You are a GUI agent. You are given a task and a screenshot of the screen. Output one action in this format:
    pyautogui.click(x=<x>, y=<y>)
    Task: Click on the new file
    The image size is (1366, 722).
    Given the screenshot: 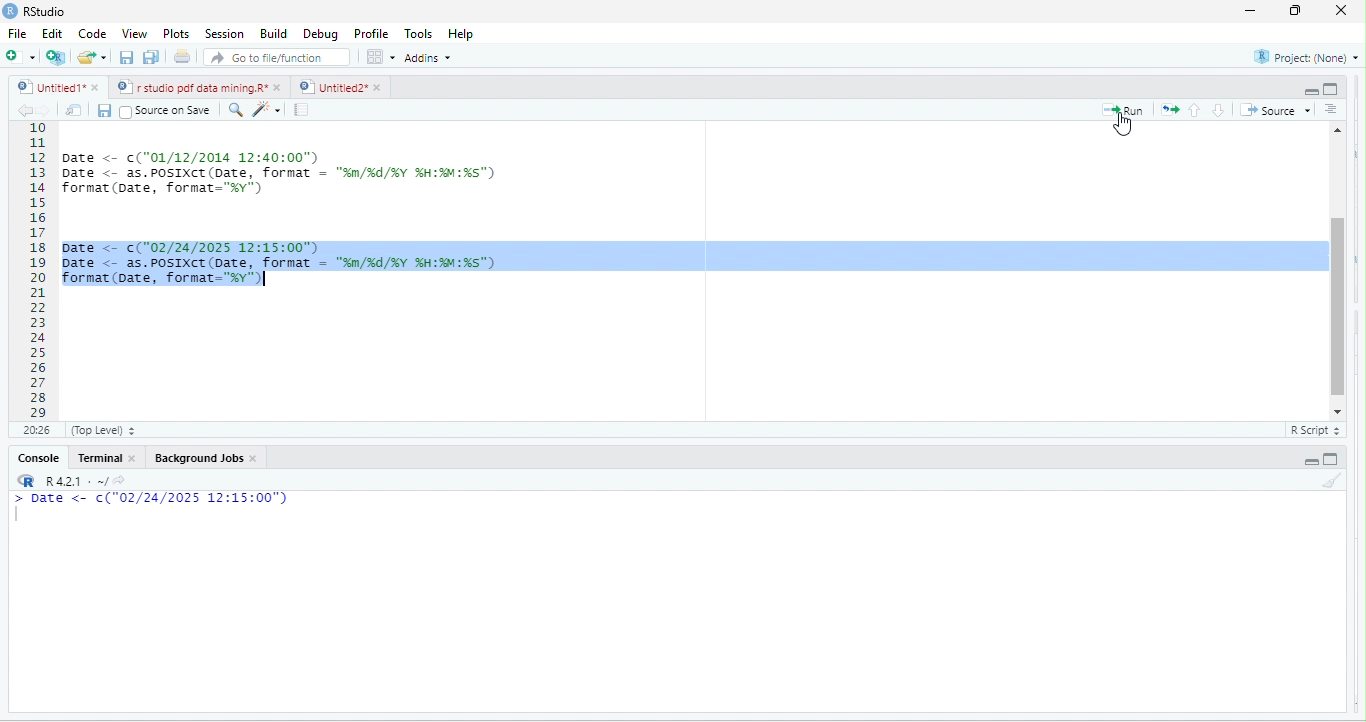 What is the action you would take?
    pyautogui.click(x=17, y=56)
    